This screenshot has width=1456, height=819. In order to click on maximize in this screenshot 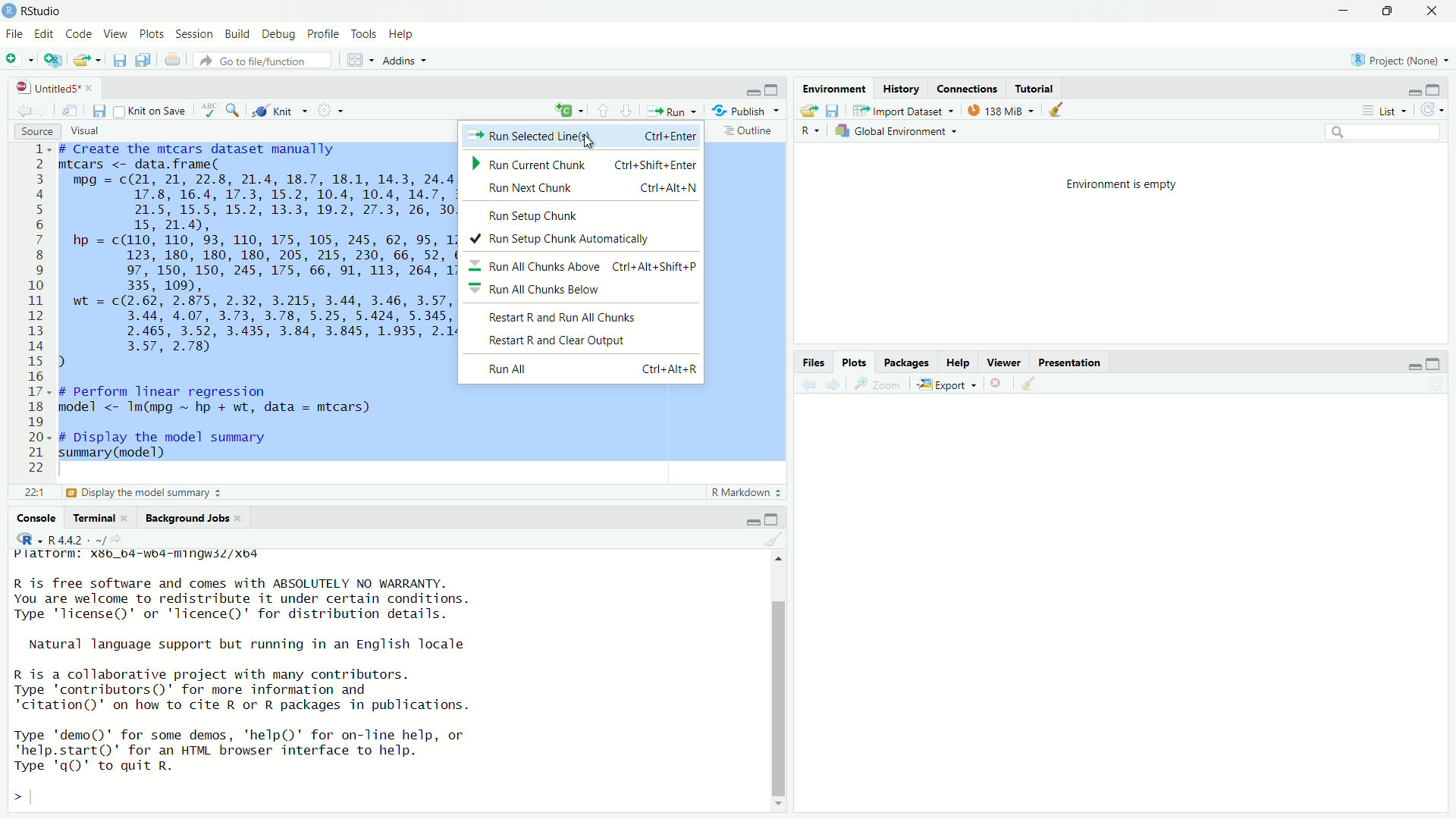, I will do `click(774, 517)`.